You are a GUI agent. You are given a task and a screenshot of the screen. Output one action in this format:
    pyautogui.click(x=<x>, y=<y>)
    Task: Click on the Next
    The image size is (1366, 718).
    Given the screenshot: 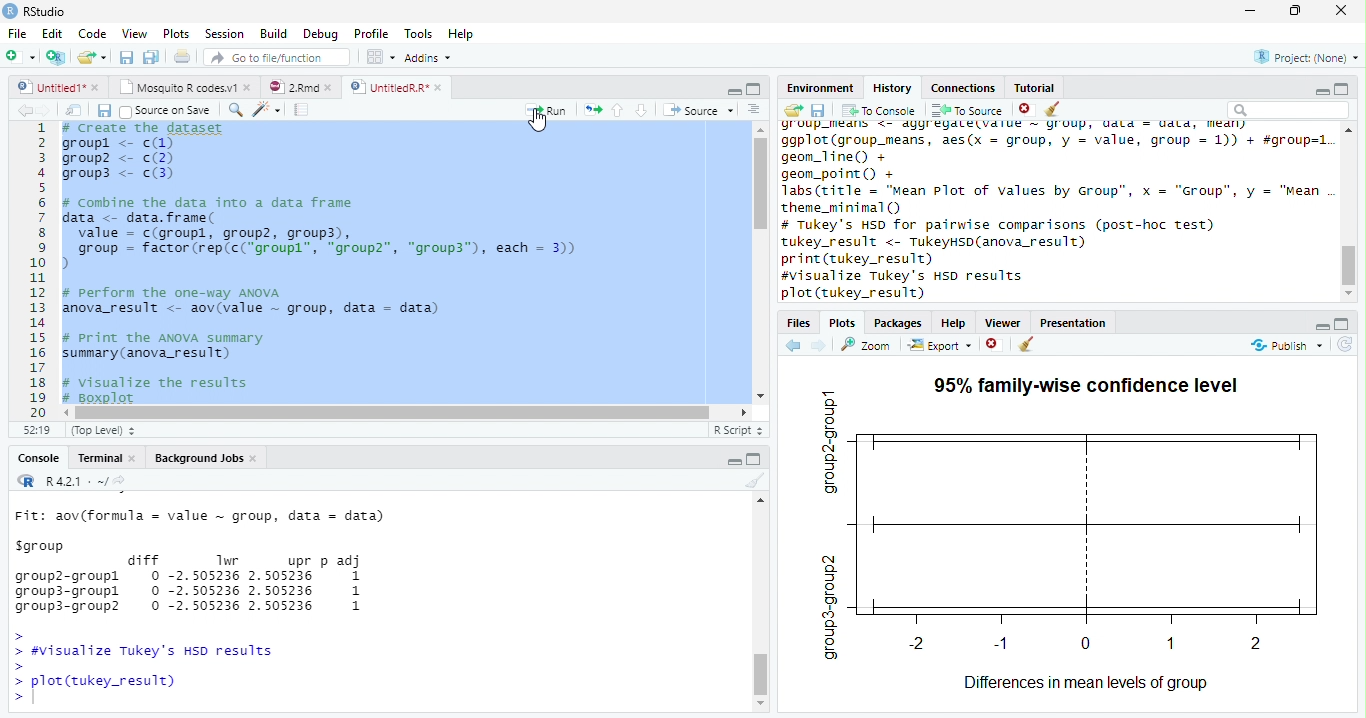 What is the action you would take?
    pyautogui.click(x=52, y=111)
    